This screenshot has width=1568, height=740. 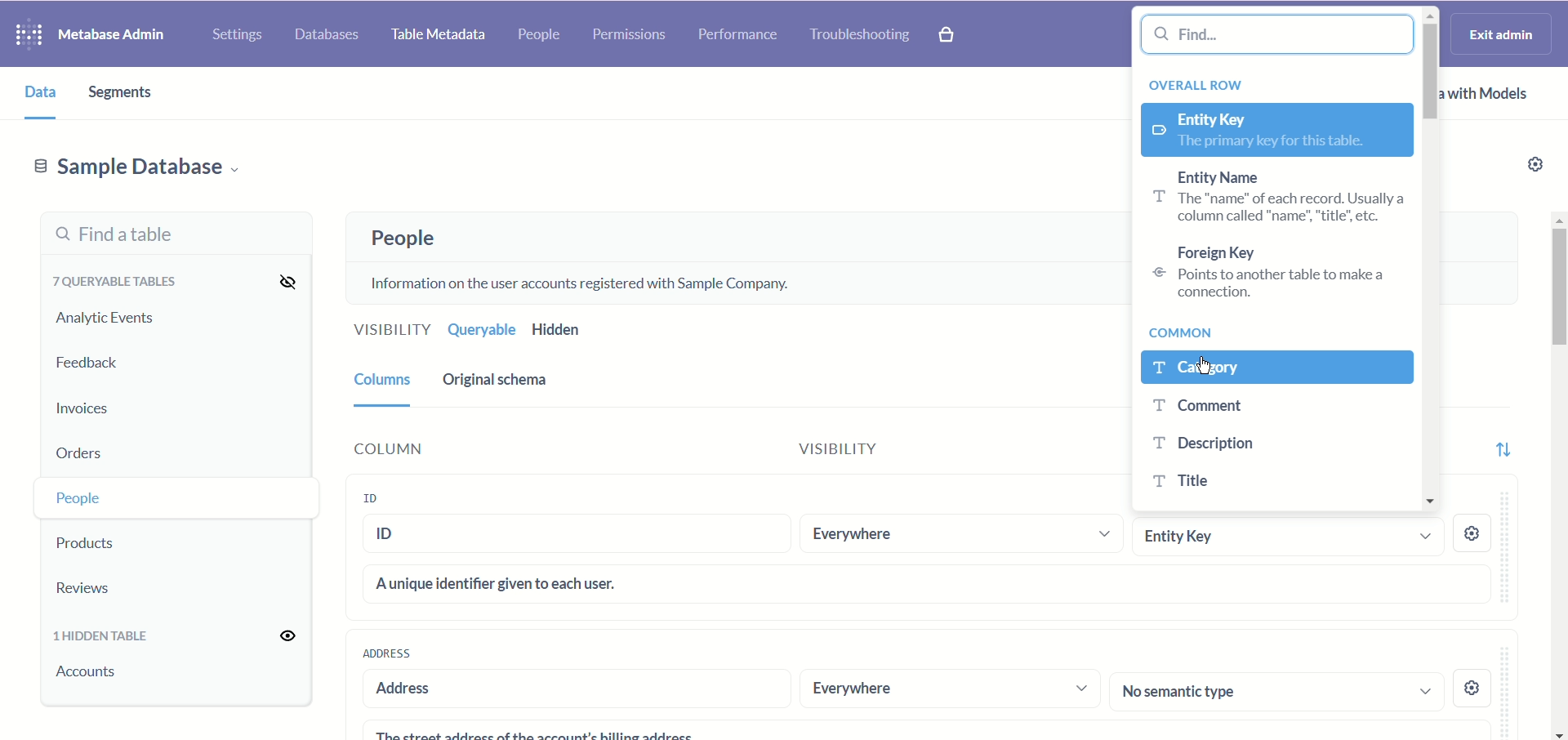 What do you see at coordinates (116, 32) in the screenshot?
I see `Metabase admin` at bounding box center [116, 32].